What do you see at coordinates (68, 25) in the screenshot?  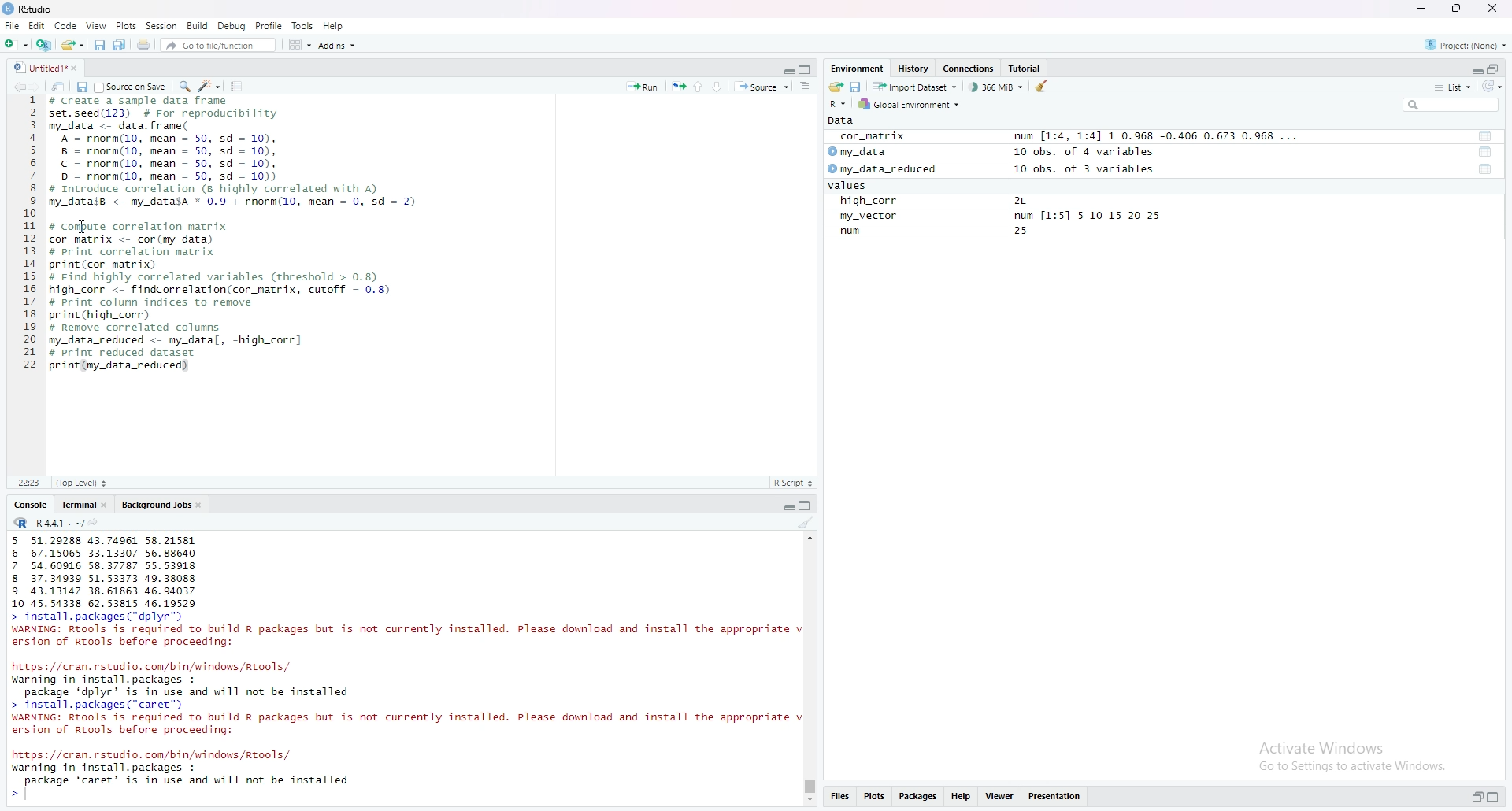 I see `Code` at bounding box center [68, 25].